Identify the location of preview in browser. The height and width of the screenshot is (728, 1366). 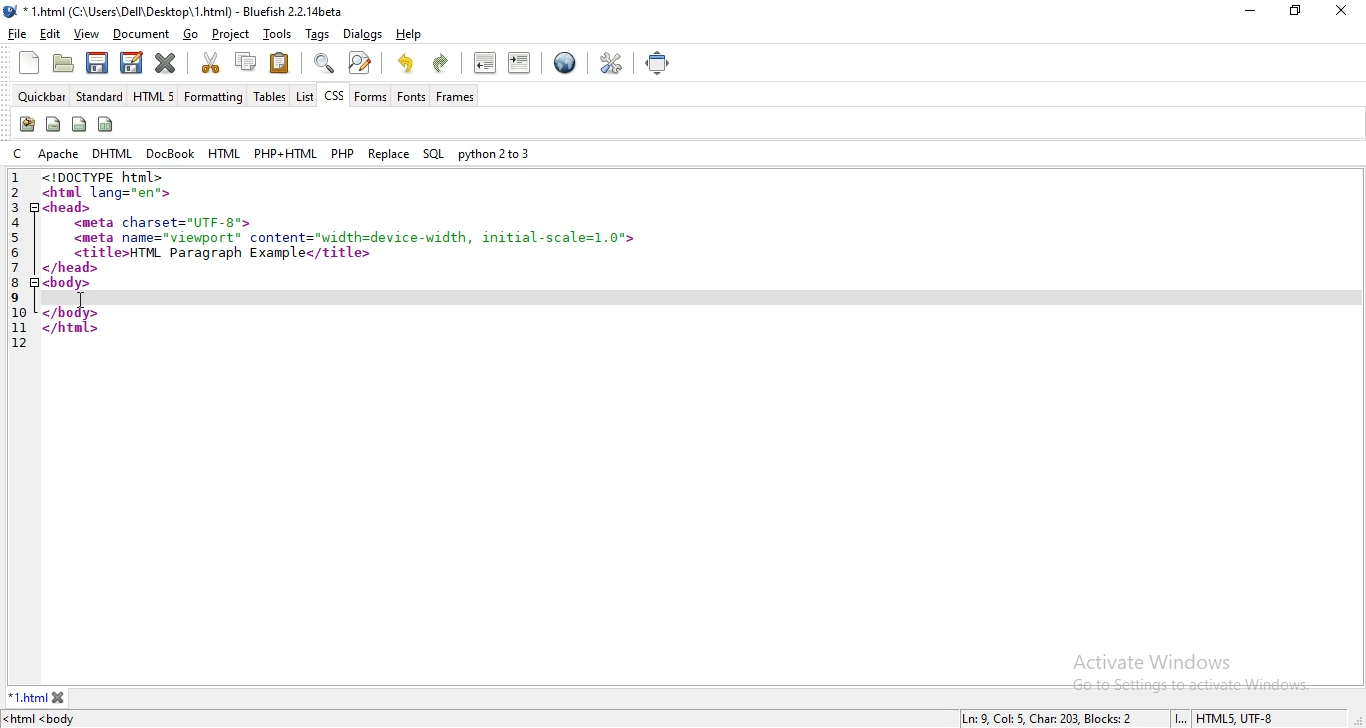
(564, 64).